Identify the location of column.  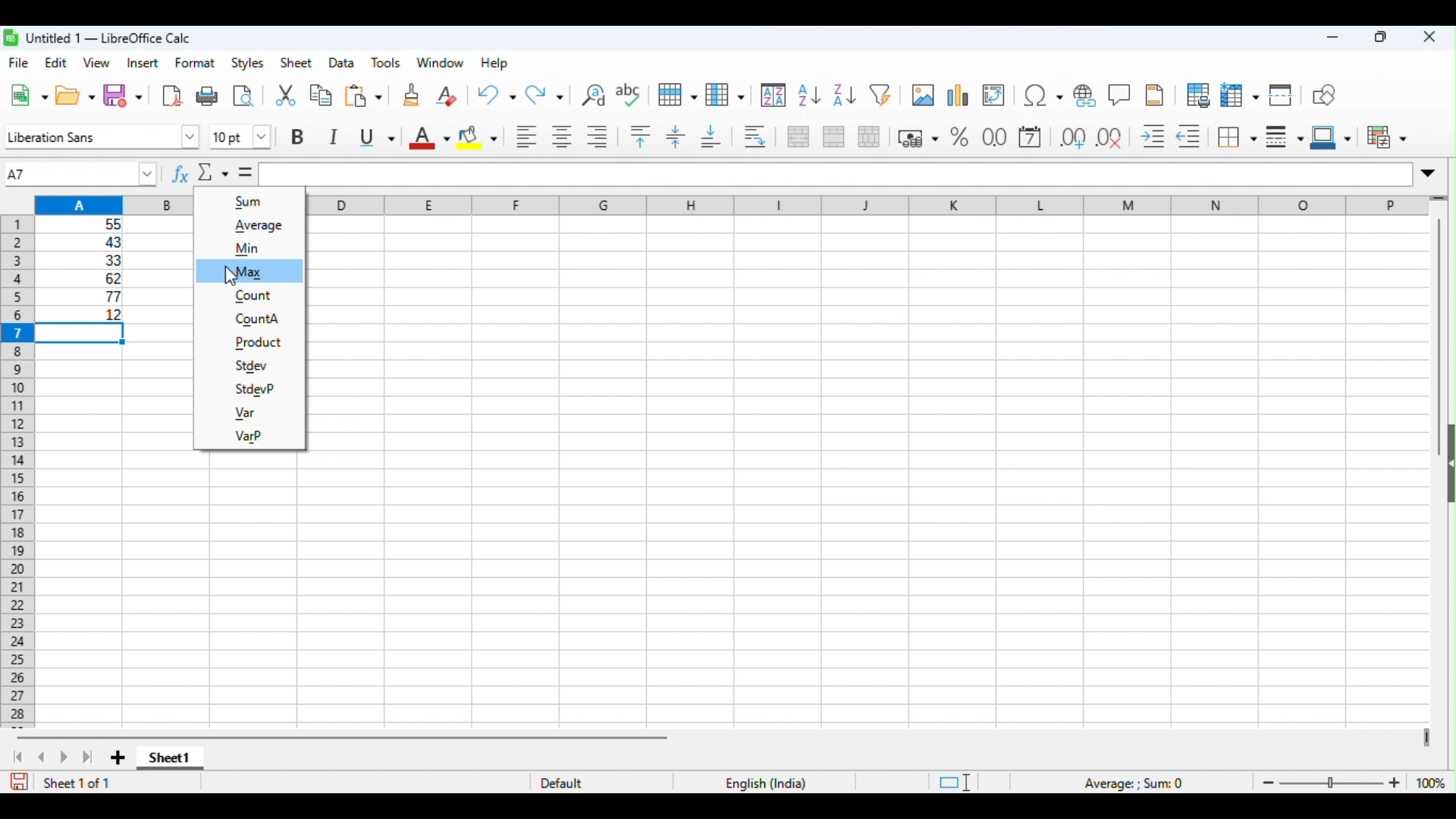
(725, 96).